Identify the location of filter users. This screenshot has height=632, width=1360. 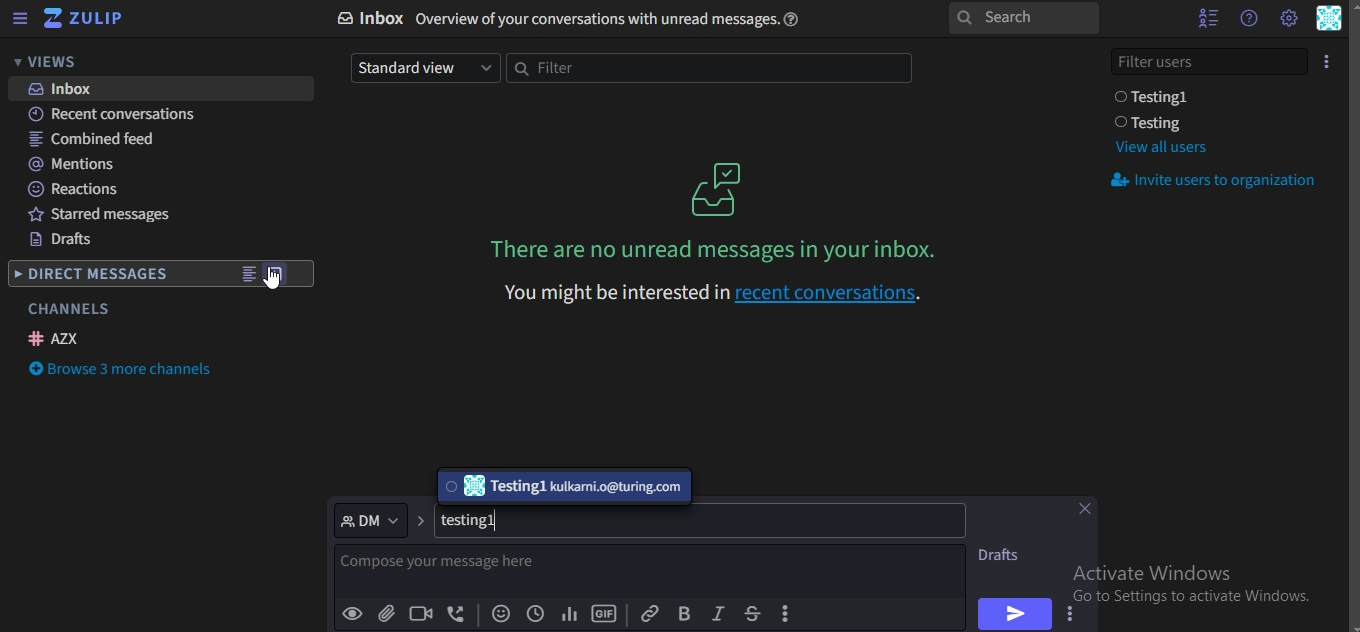
(1211, 59).